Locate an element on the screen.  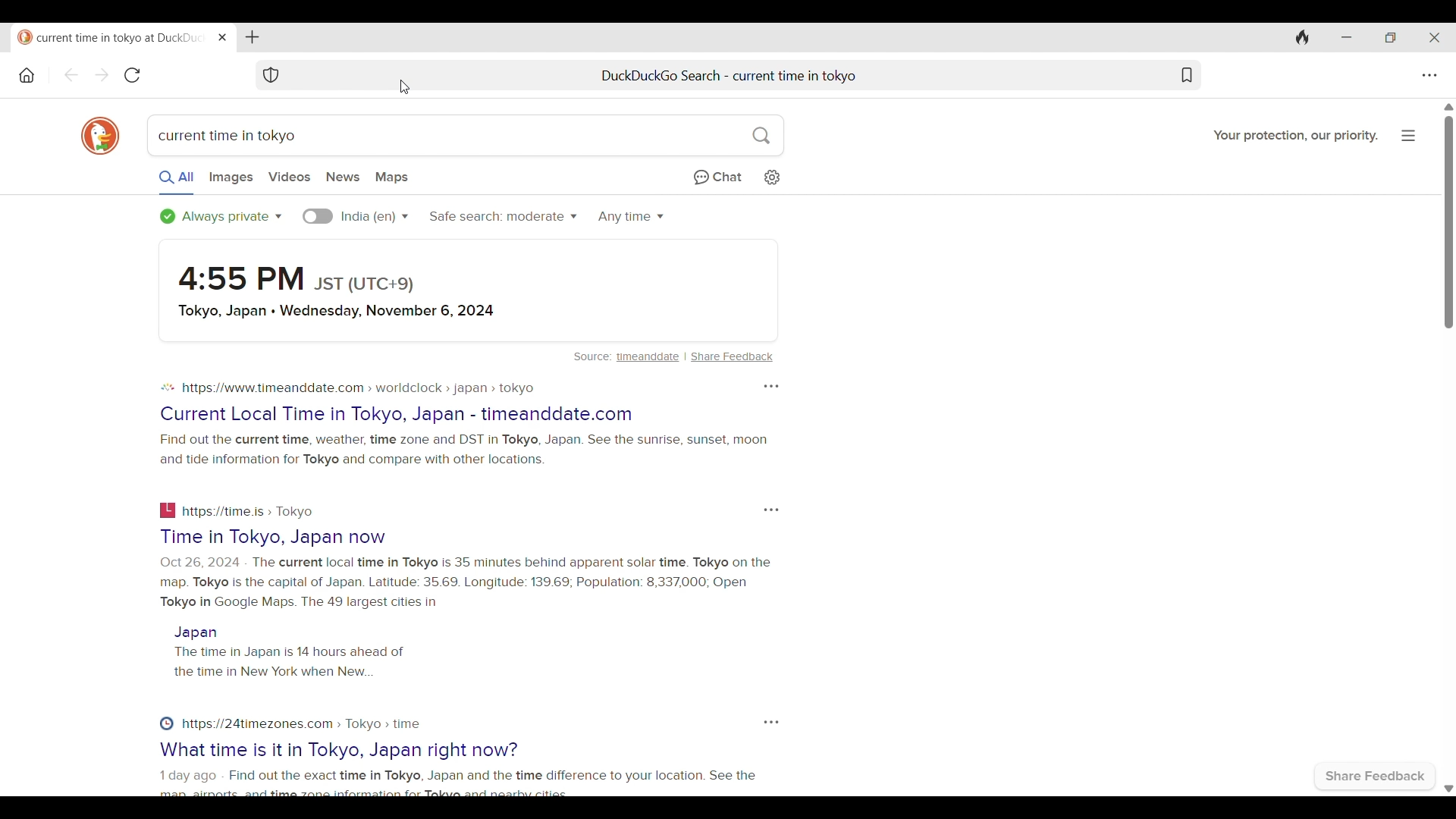
More settings is located at coordinates (771, 722).